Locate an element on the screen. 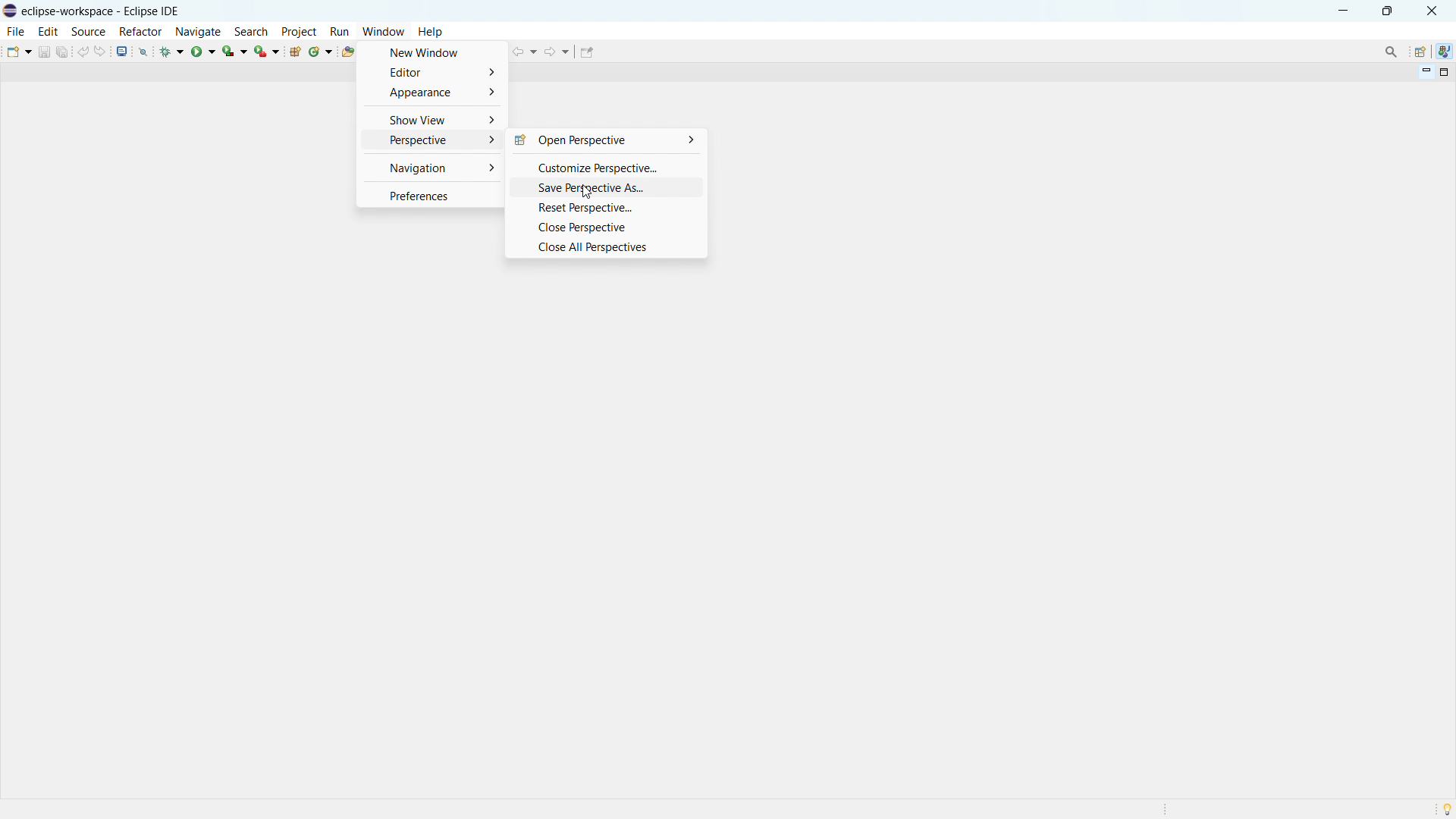 This screenshot has height=819, width=1456. navigate is located at coordinates (198, 31).